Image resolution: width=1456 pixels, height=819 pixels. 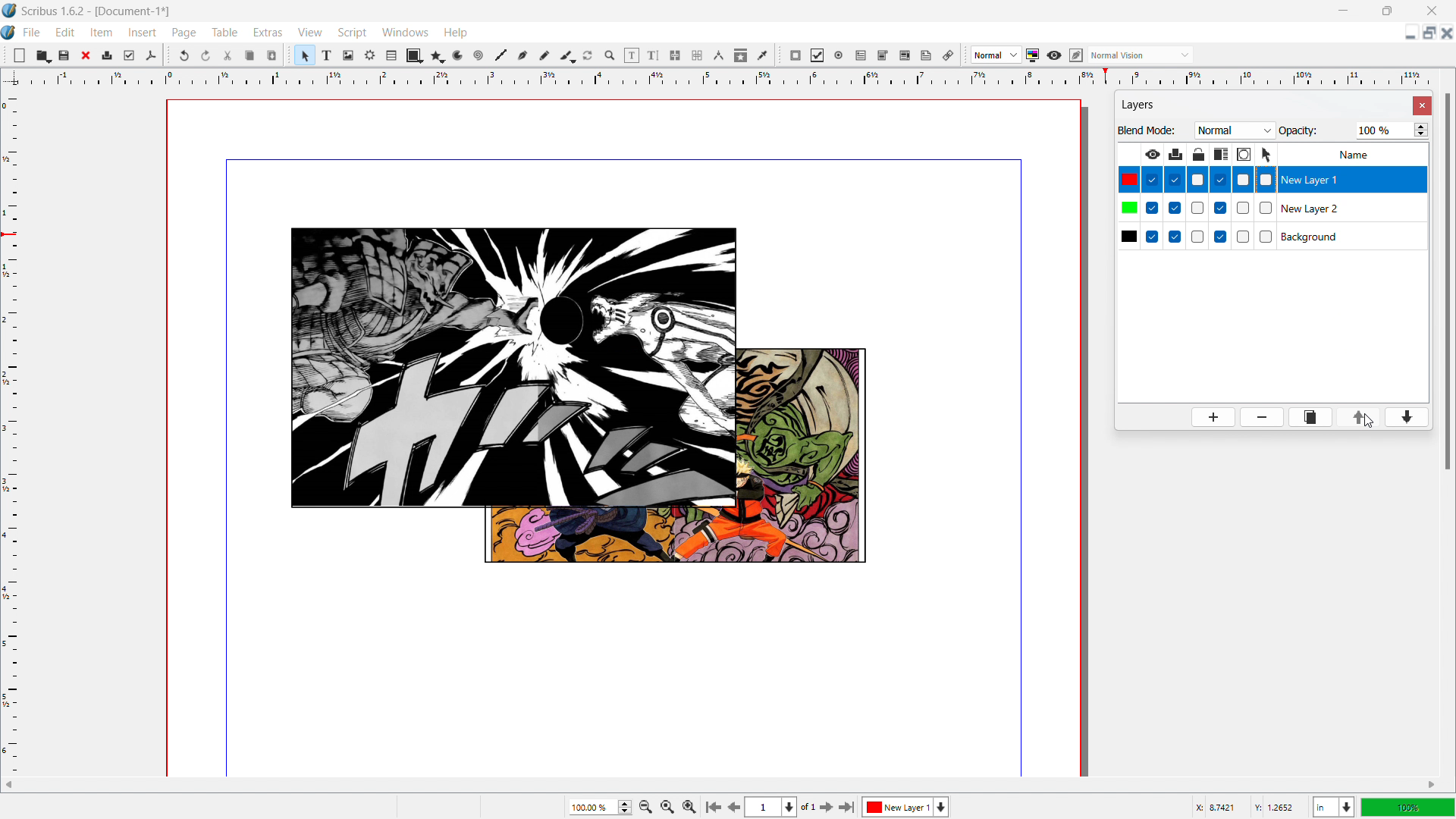 What do you see at coordinates (102, 33) in the screenshot?
I see `item` at bounding box center [102, 33].